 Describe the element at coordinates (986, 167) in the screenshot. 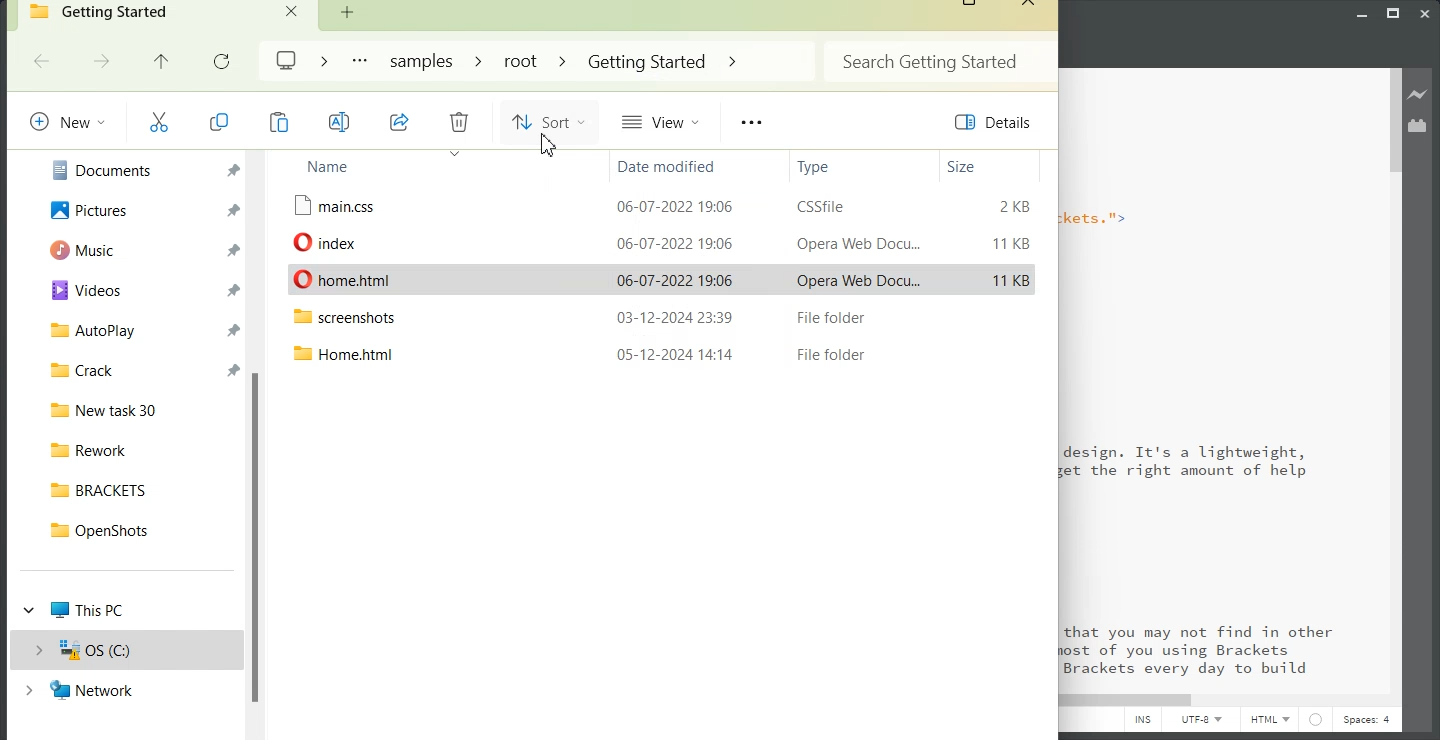

I see `Size` at that location.